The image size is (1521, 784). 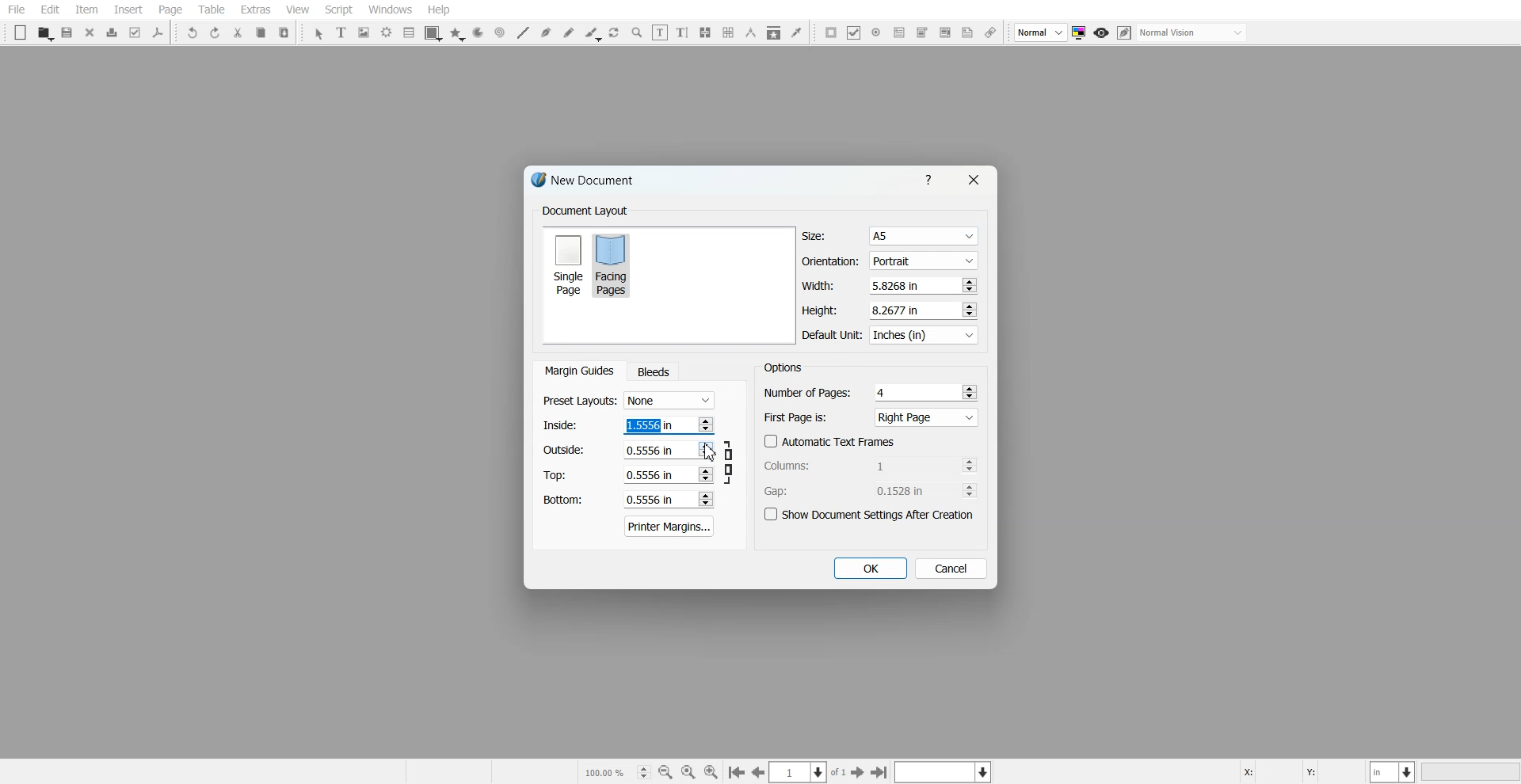 What do you see at coordinates (342, 32) in the screenshot?
I see `Text Frame` at bounding box center [342, 32].